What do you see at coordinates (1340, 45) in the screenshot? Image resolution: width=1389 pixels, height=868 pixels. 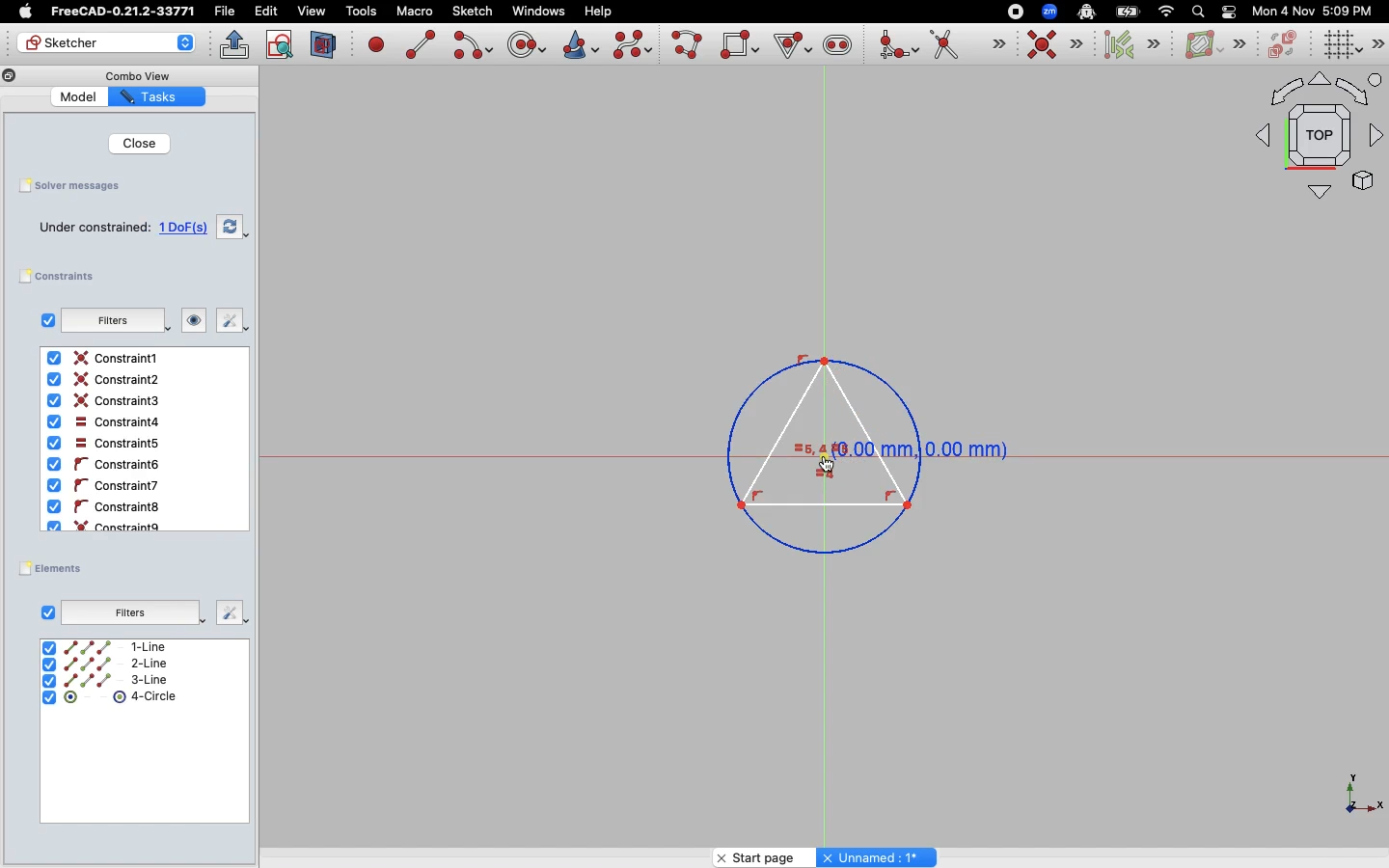 I see `Toggle grid` at bounding box center [1340, 45].